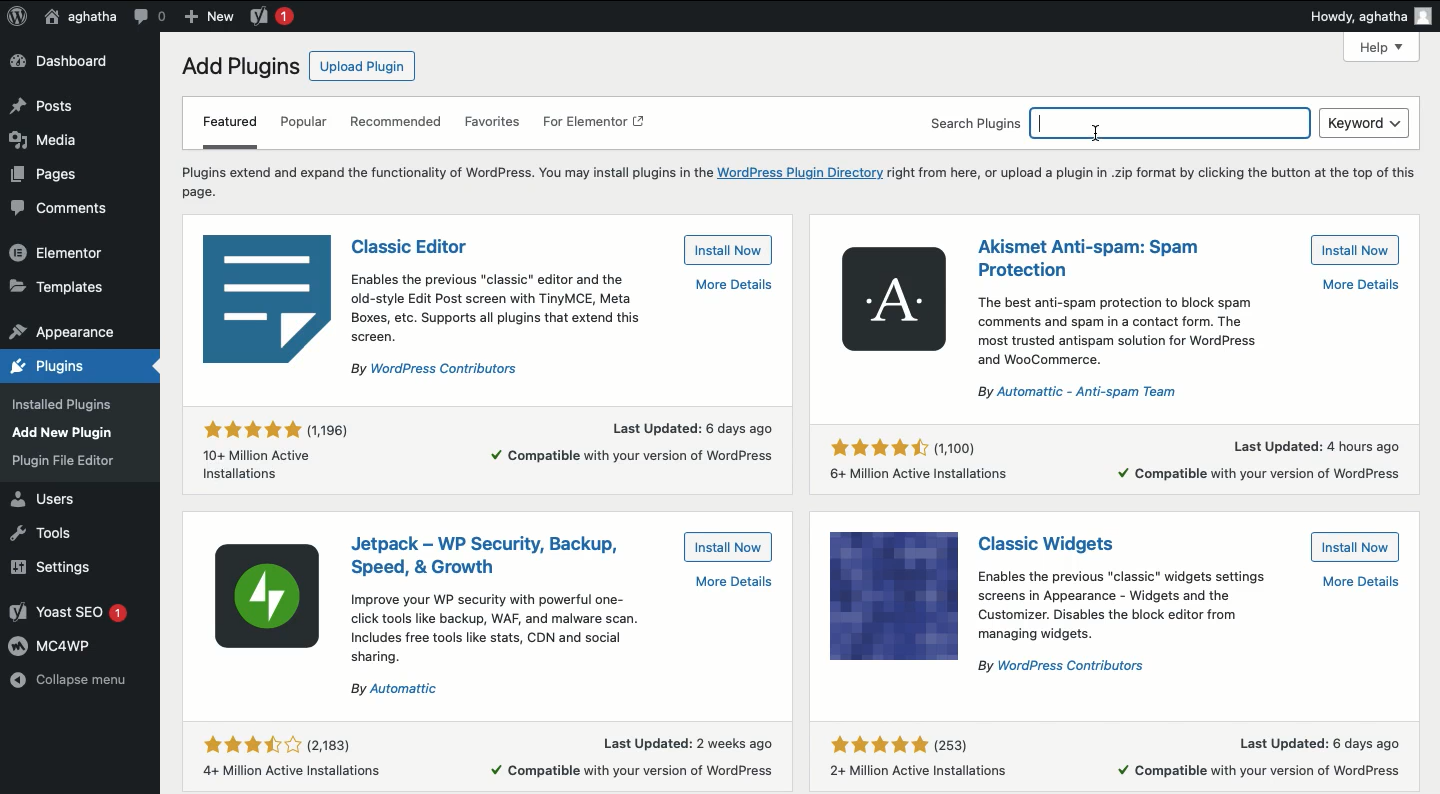 Image resolution: width=1440 pixels, height=794 pixels. Describe the element at coordinates (271, 601) in the screenshot. I see `Icon` at that location.